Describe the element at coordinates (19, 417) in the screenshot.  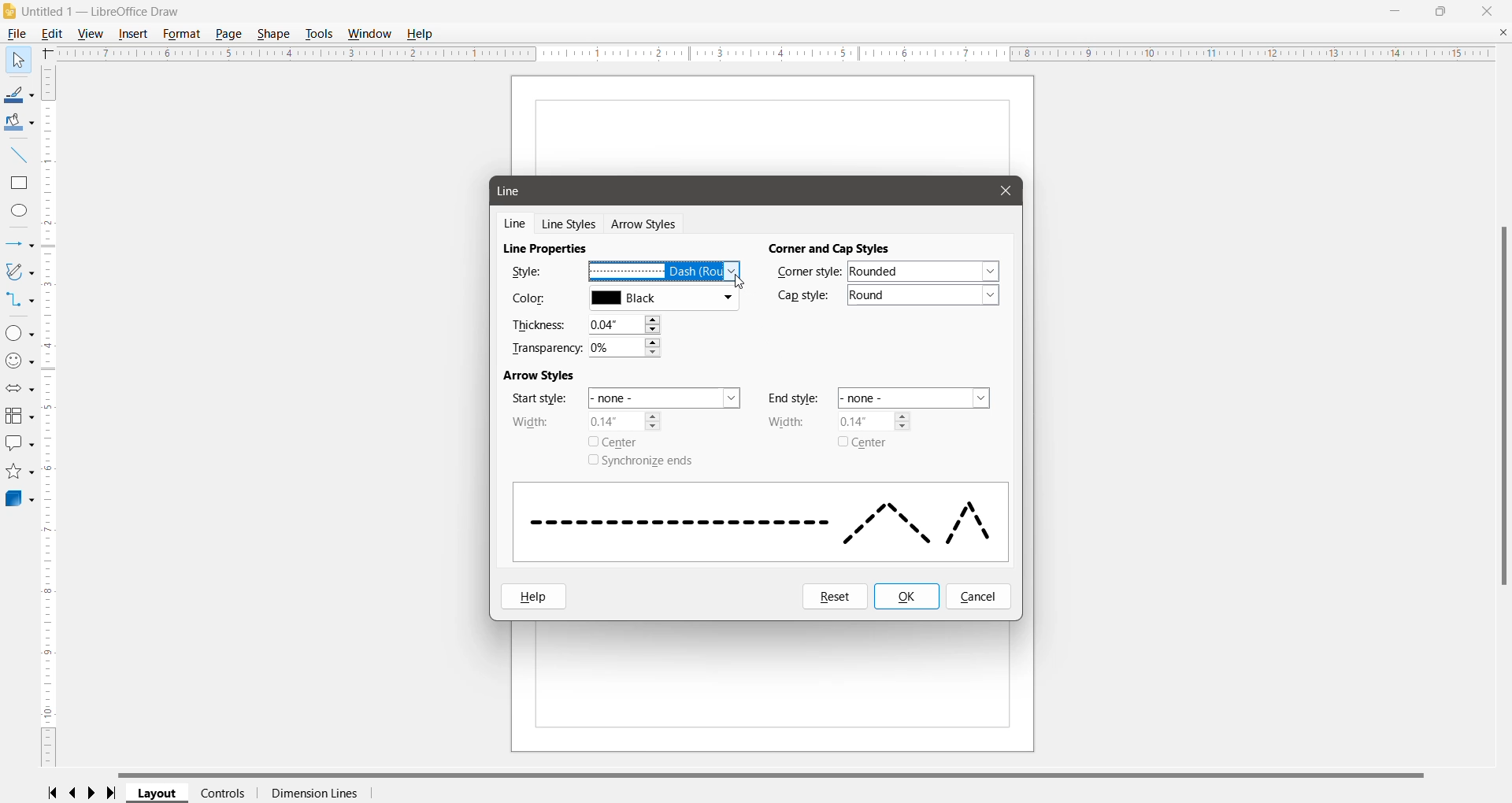
I see `Flowchart` at that location.